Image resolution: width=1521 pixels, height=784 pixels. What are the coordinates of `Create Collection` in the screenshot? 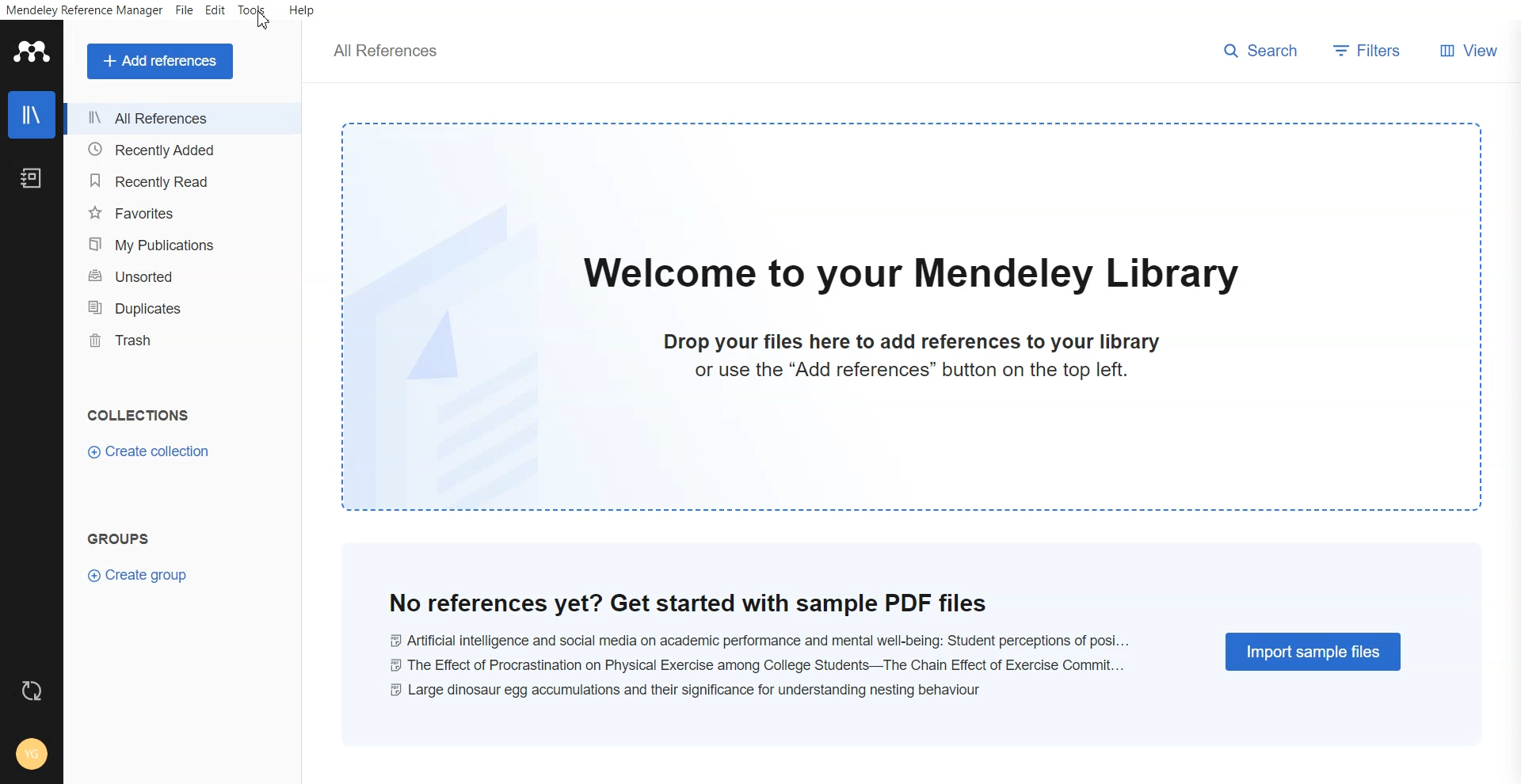 It's located at (151, 454).